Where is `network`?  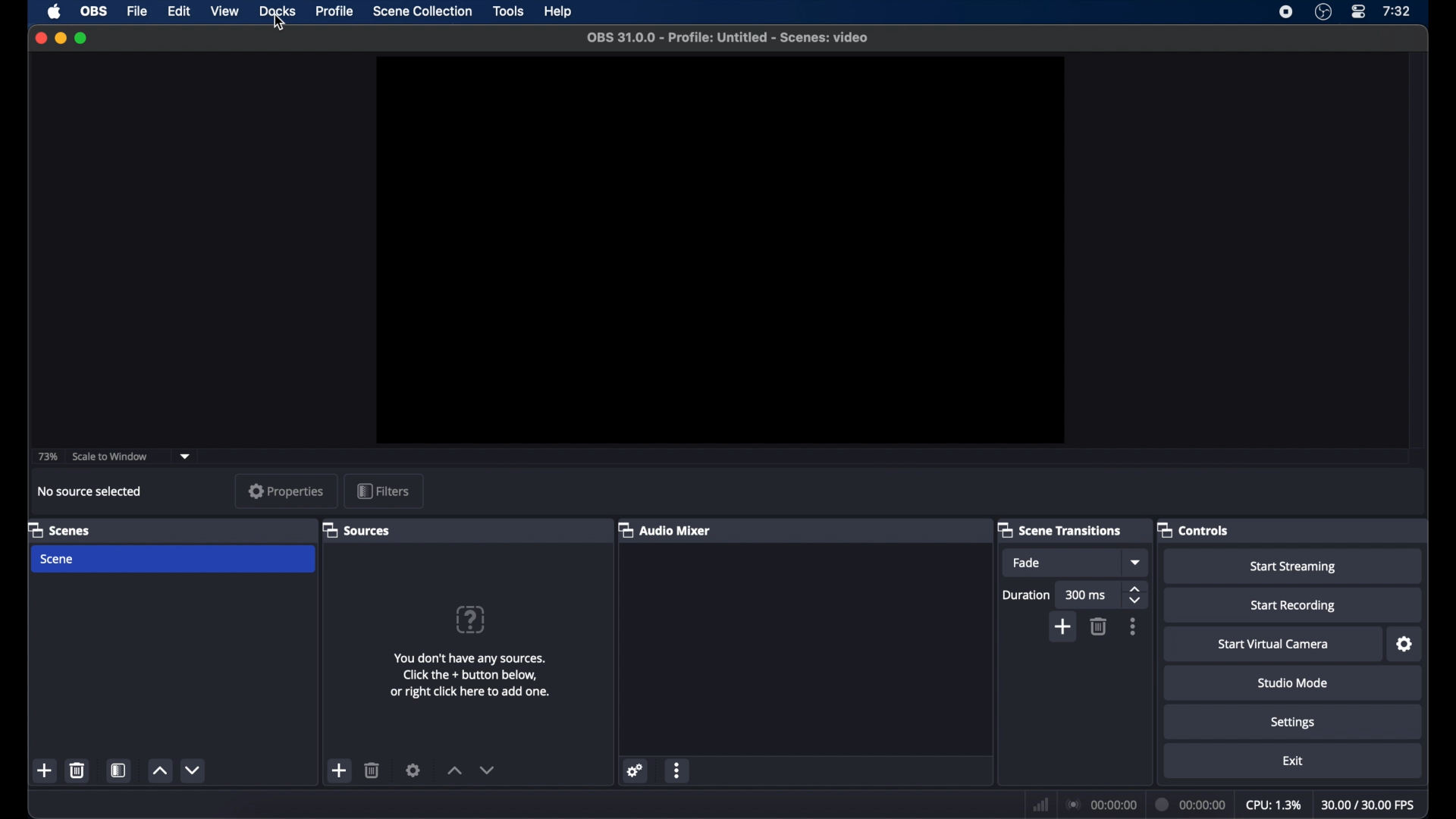 network is located at coordinates (1040, 803).